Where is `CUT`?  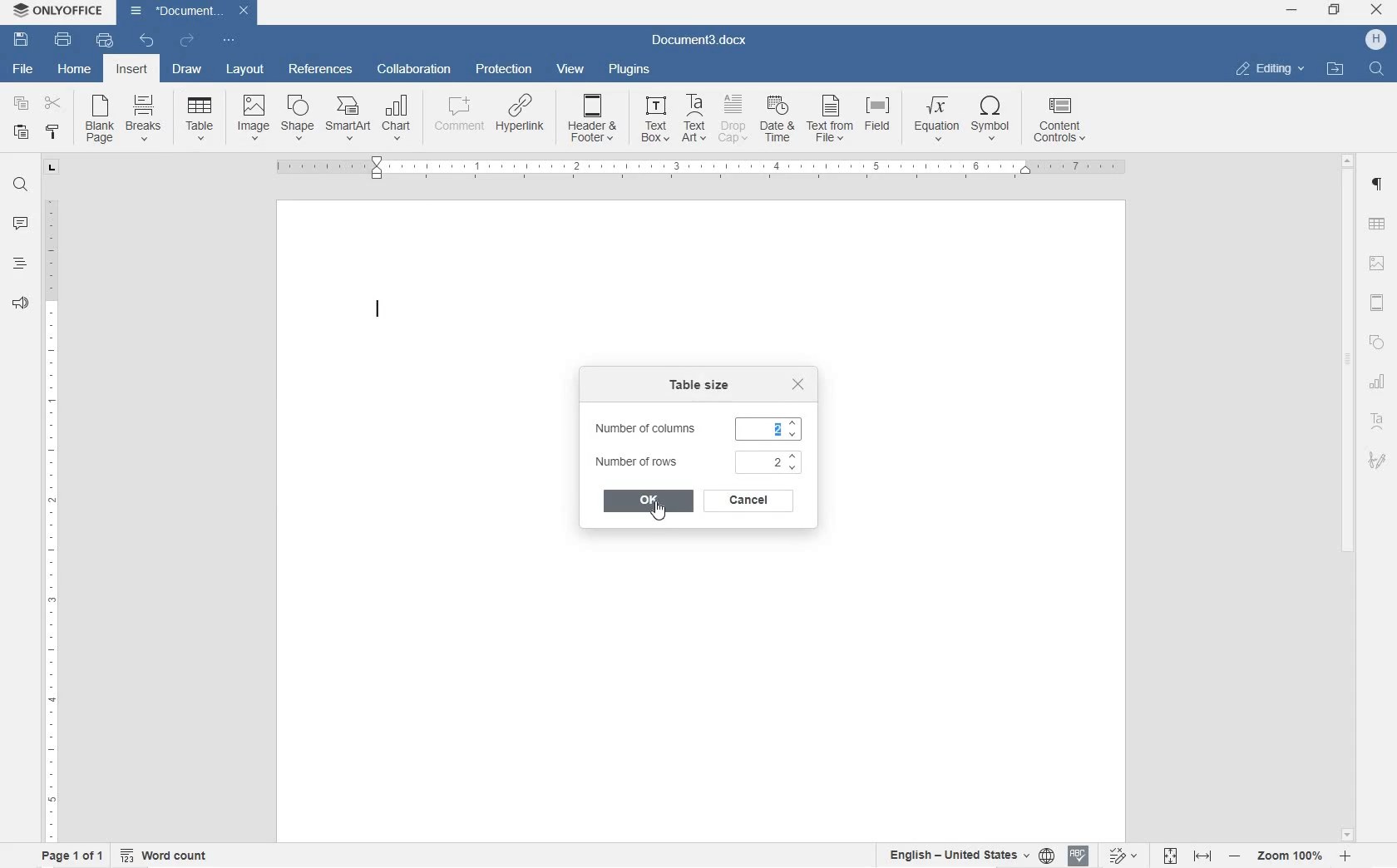
CUT is located at coordinates (57, 106).